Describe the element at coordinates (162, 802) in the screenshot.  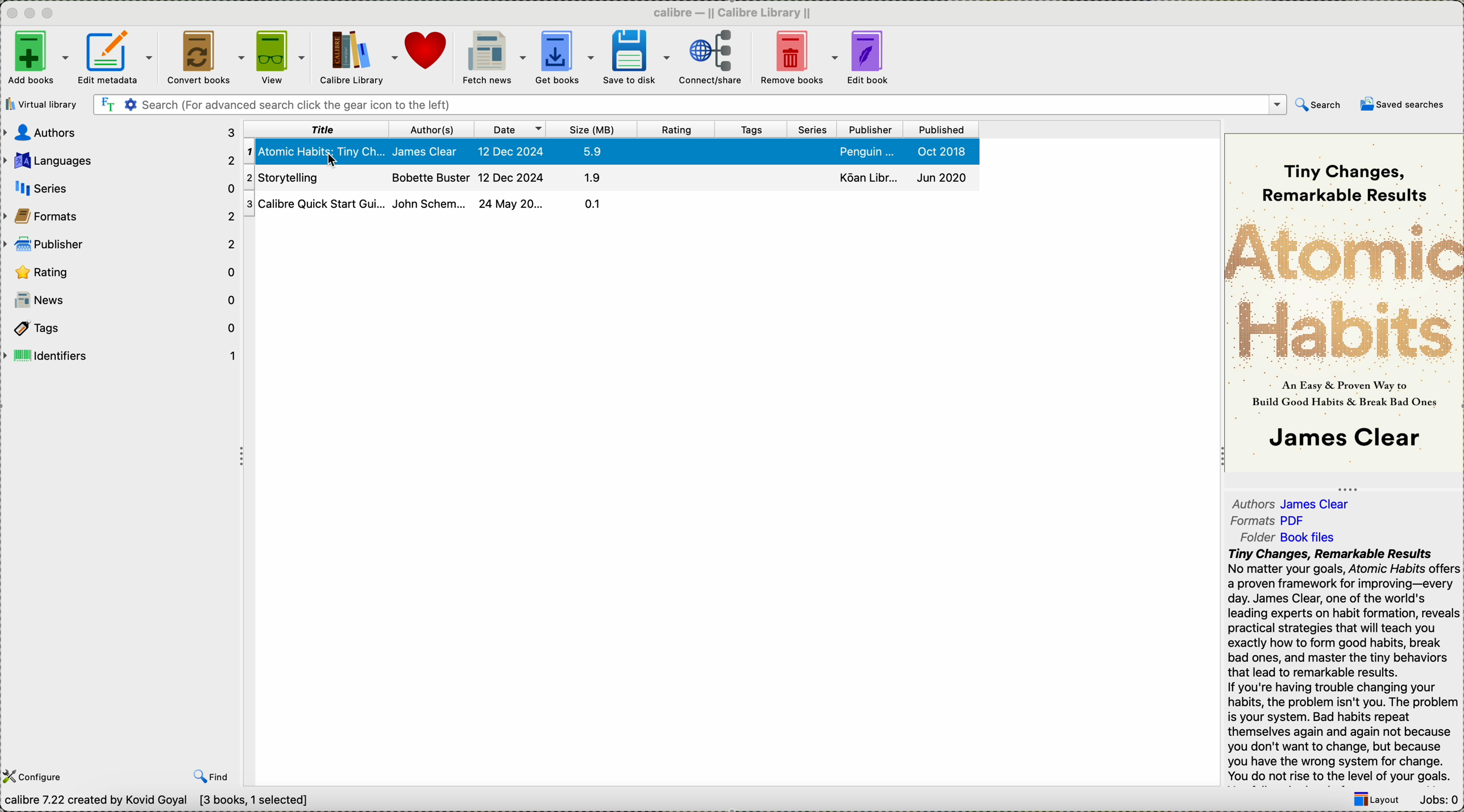
I see `data` at that location.